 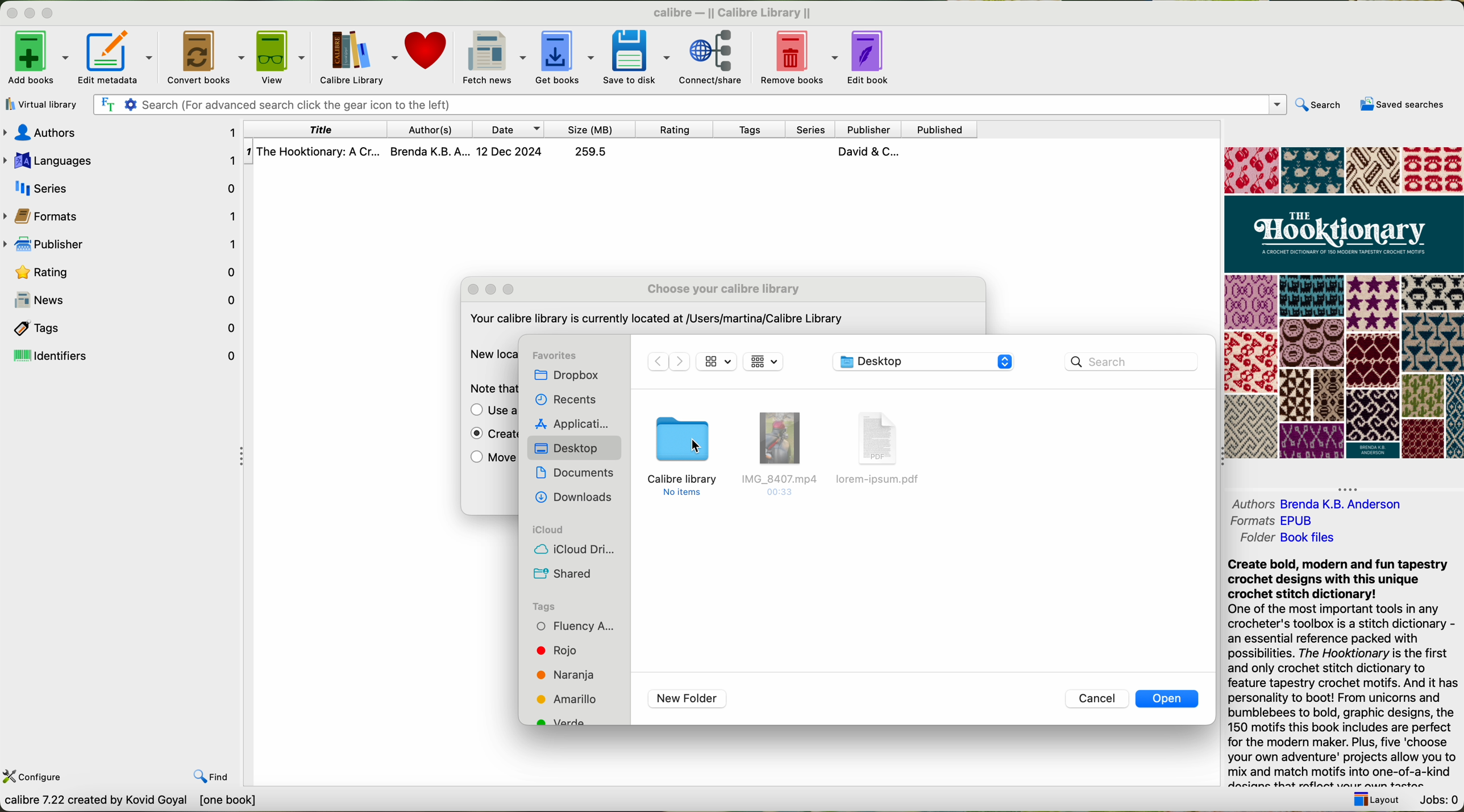 I want to click on Settings, so click(x=132, y=104).